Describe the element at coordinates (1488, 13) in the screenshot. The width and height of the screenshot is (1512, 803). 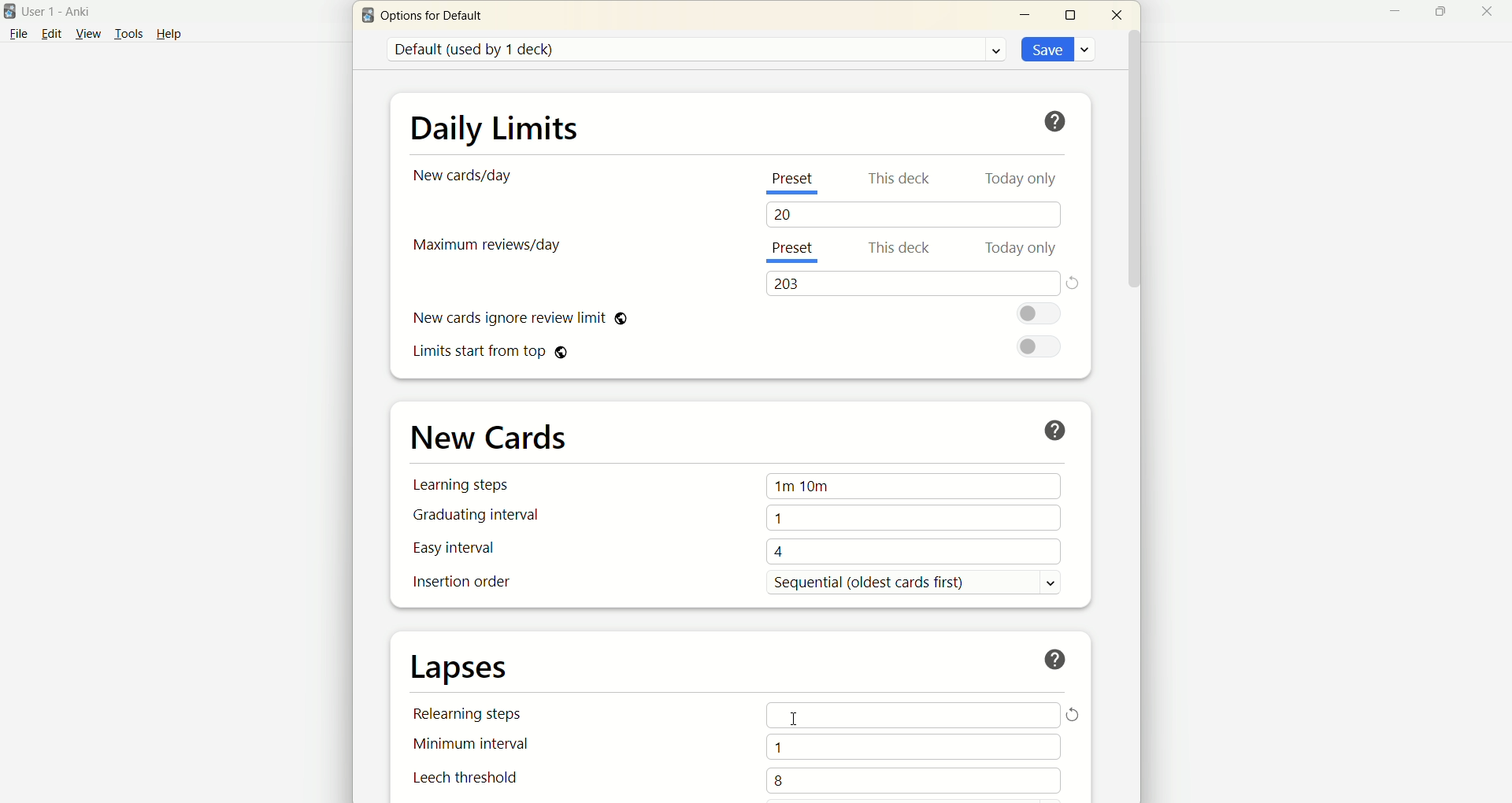
I see `close` at that location.